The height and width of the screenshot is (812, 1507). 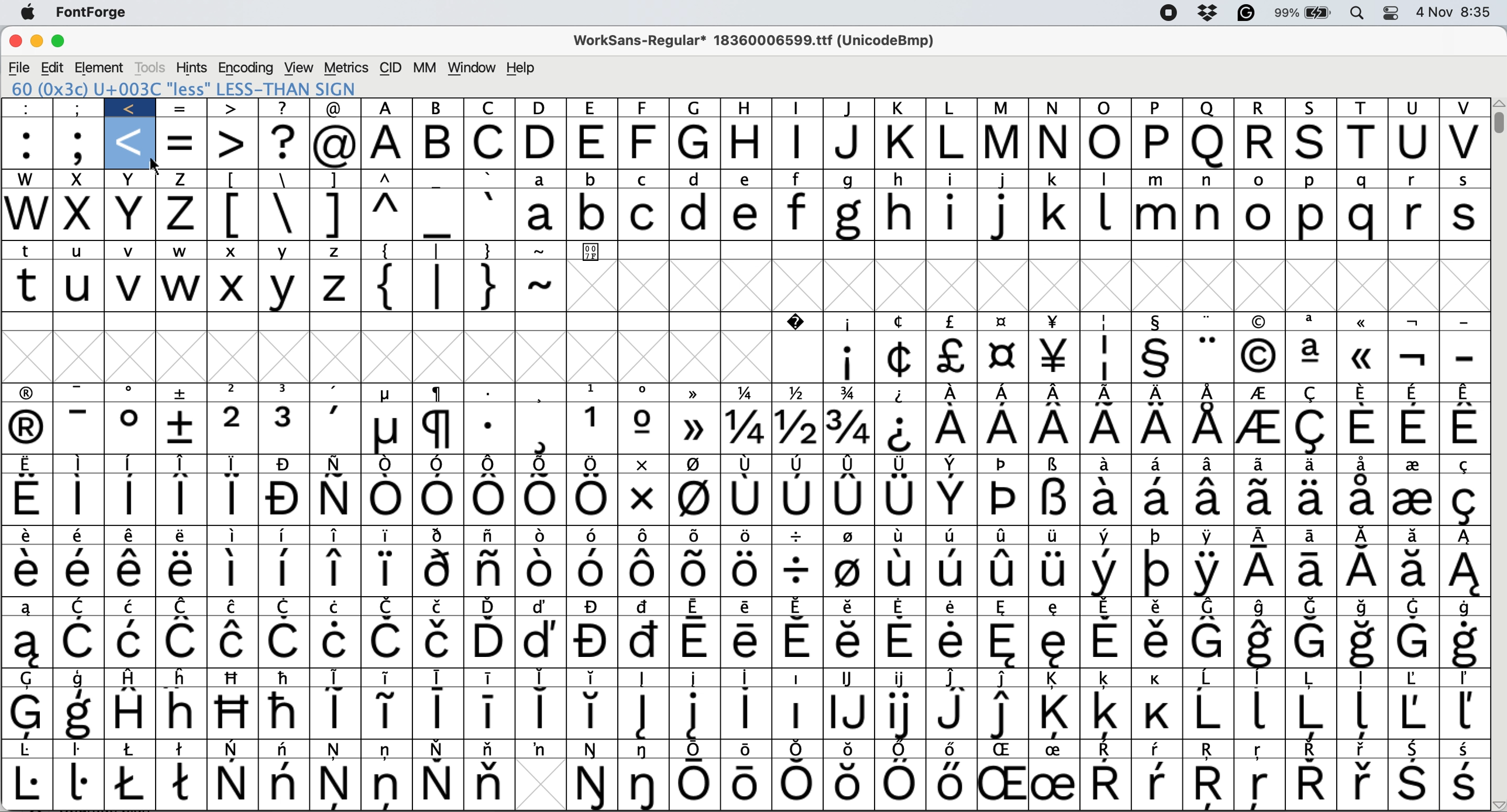 What do you see at coordinates (133, 215) in the screenshot?
I see `x` at bounding box center [133, 215].